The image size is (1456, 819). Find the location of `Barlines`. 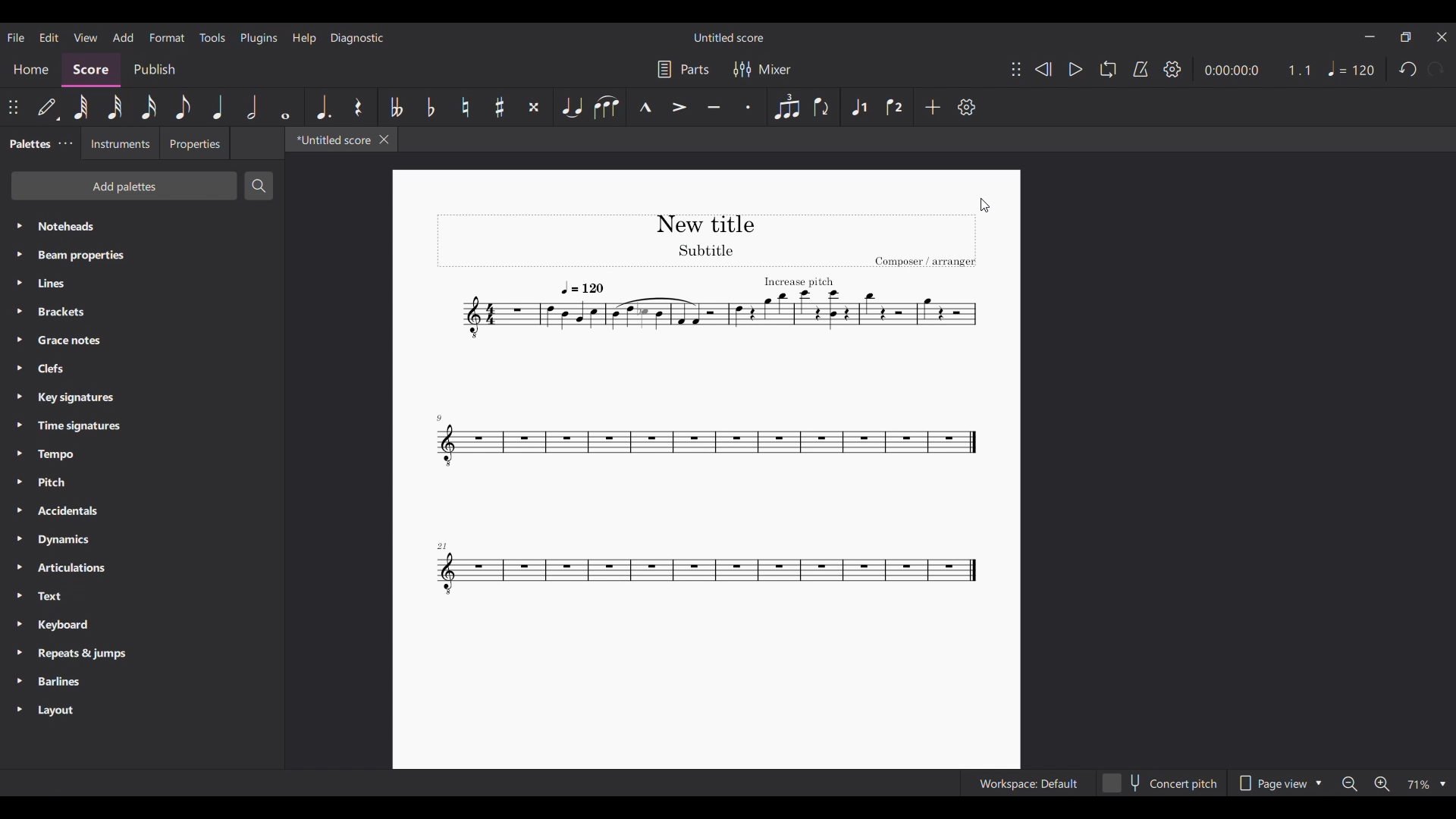

Barlines is located at coordinates (142, 682).